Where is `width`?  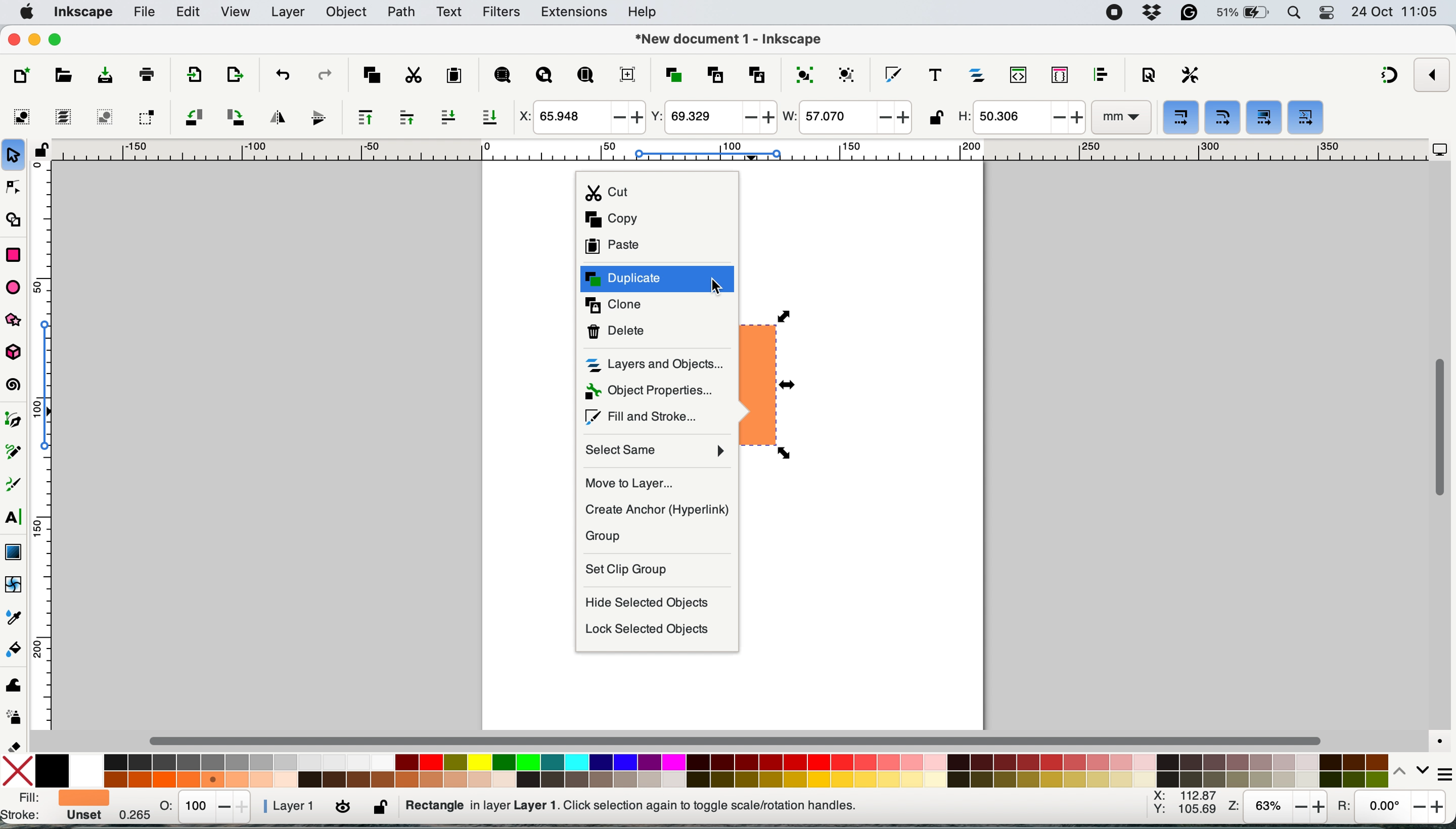
width is located at coordinates (846, 118).